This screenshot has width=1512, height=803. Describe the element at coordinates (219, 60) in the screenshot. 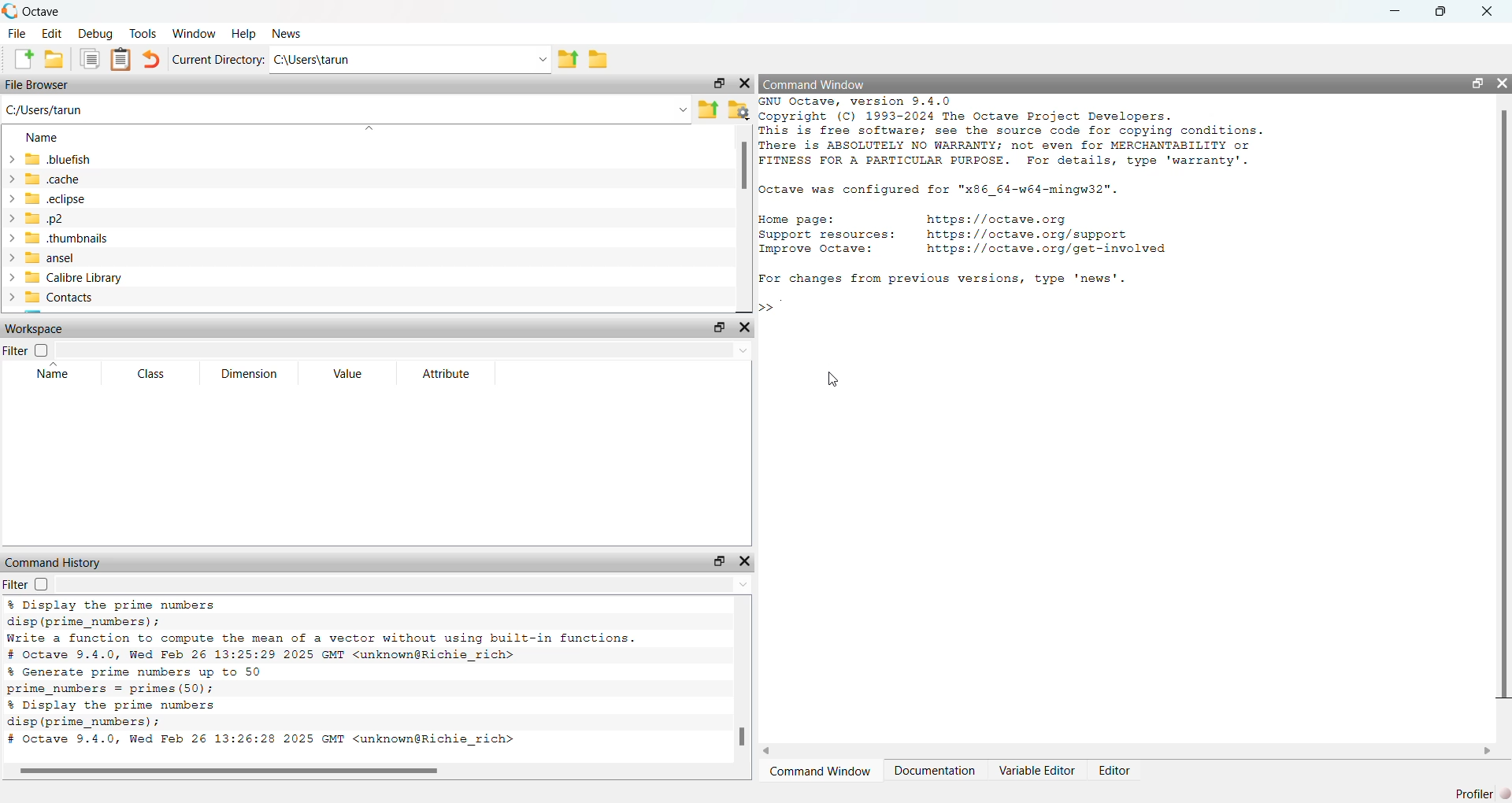

I see `Current Directory:` at that location.